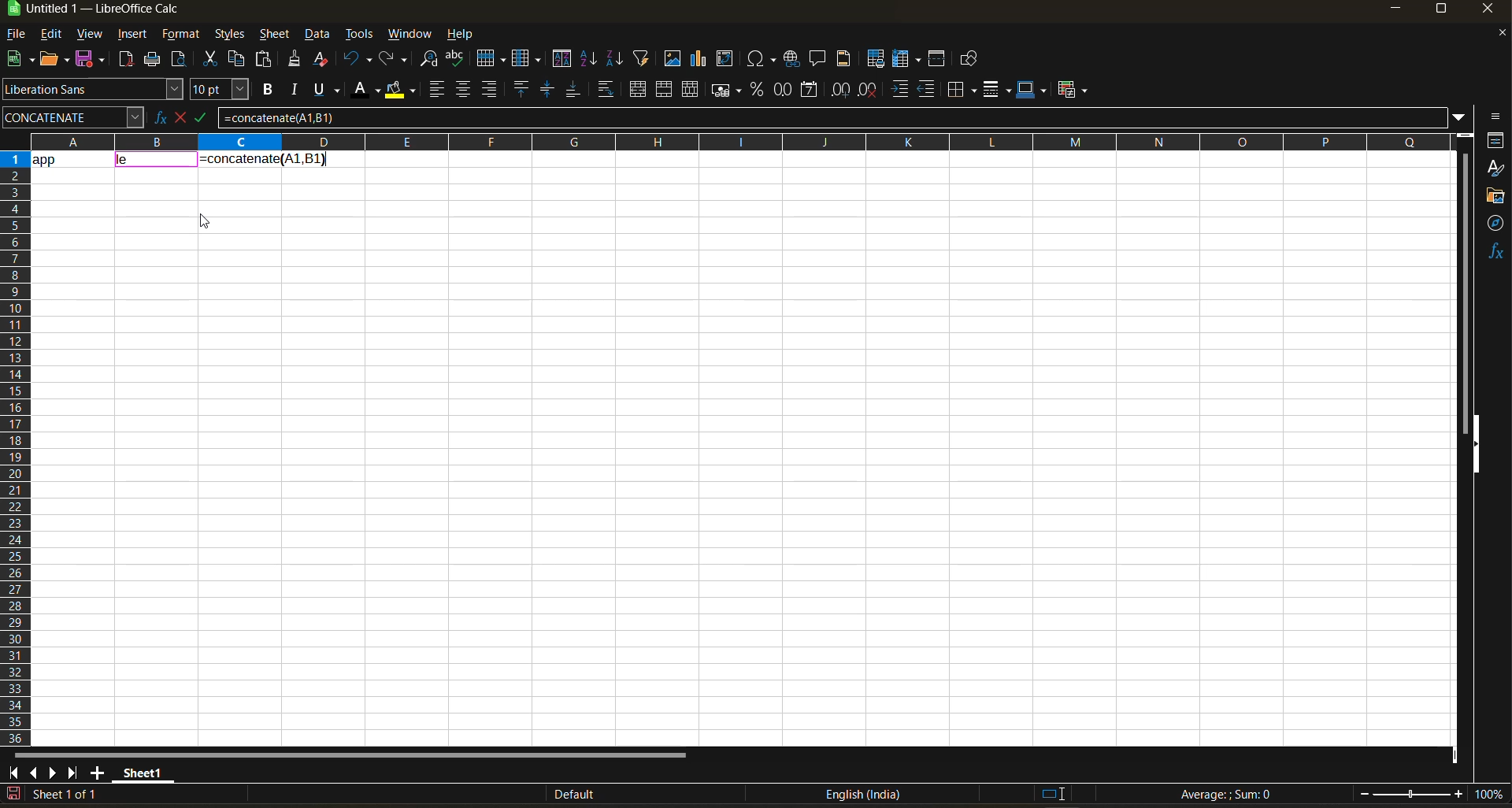 The image size is (1512, 808). What do you see at coordinates (794, 58) in the screenshot?
I see `insert hyperlink` at bounding box center [794, 58].